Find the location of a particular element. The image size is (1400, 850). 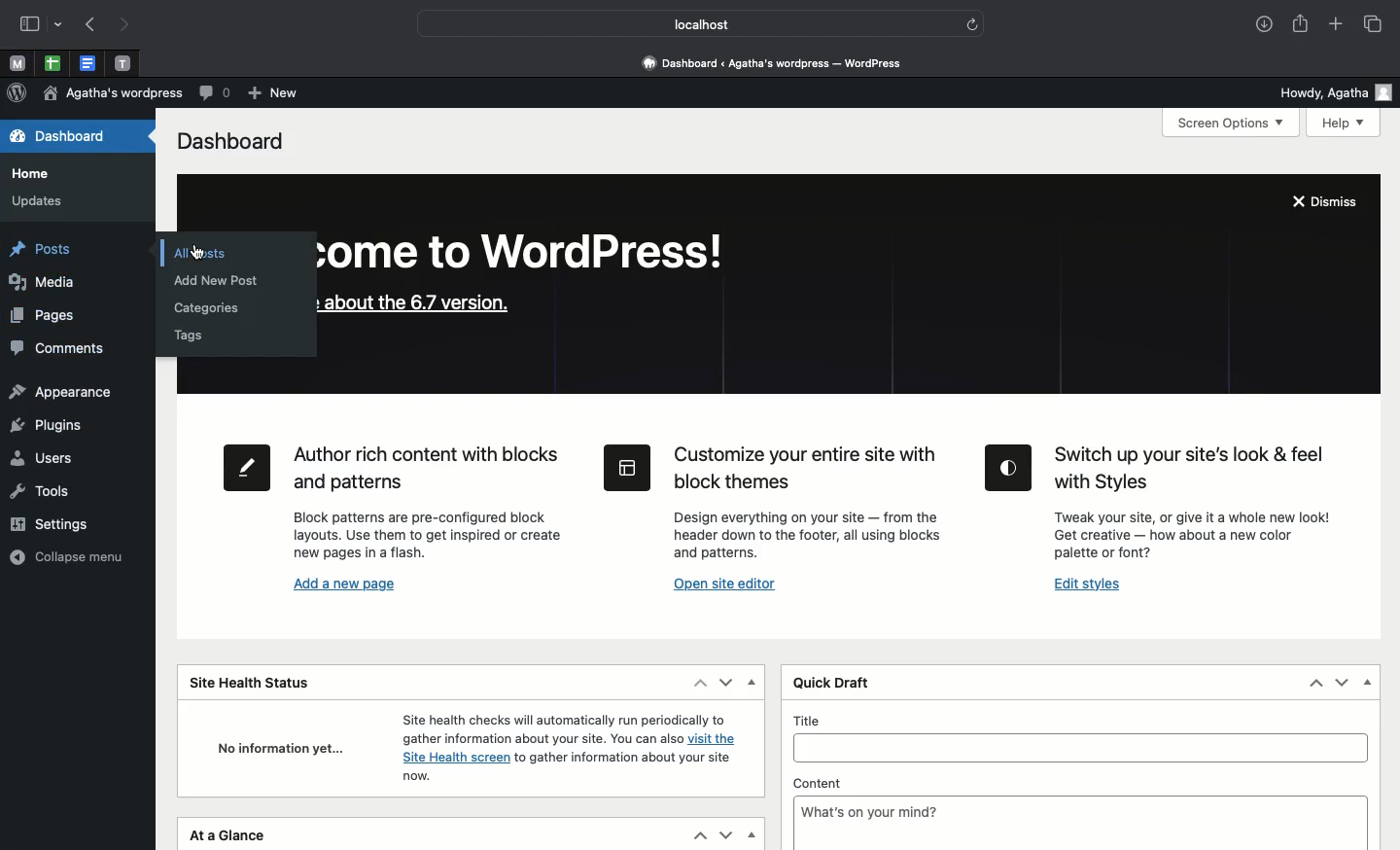

Site health screen is located at coordinates (452, 758).